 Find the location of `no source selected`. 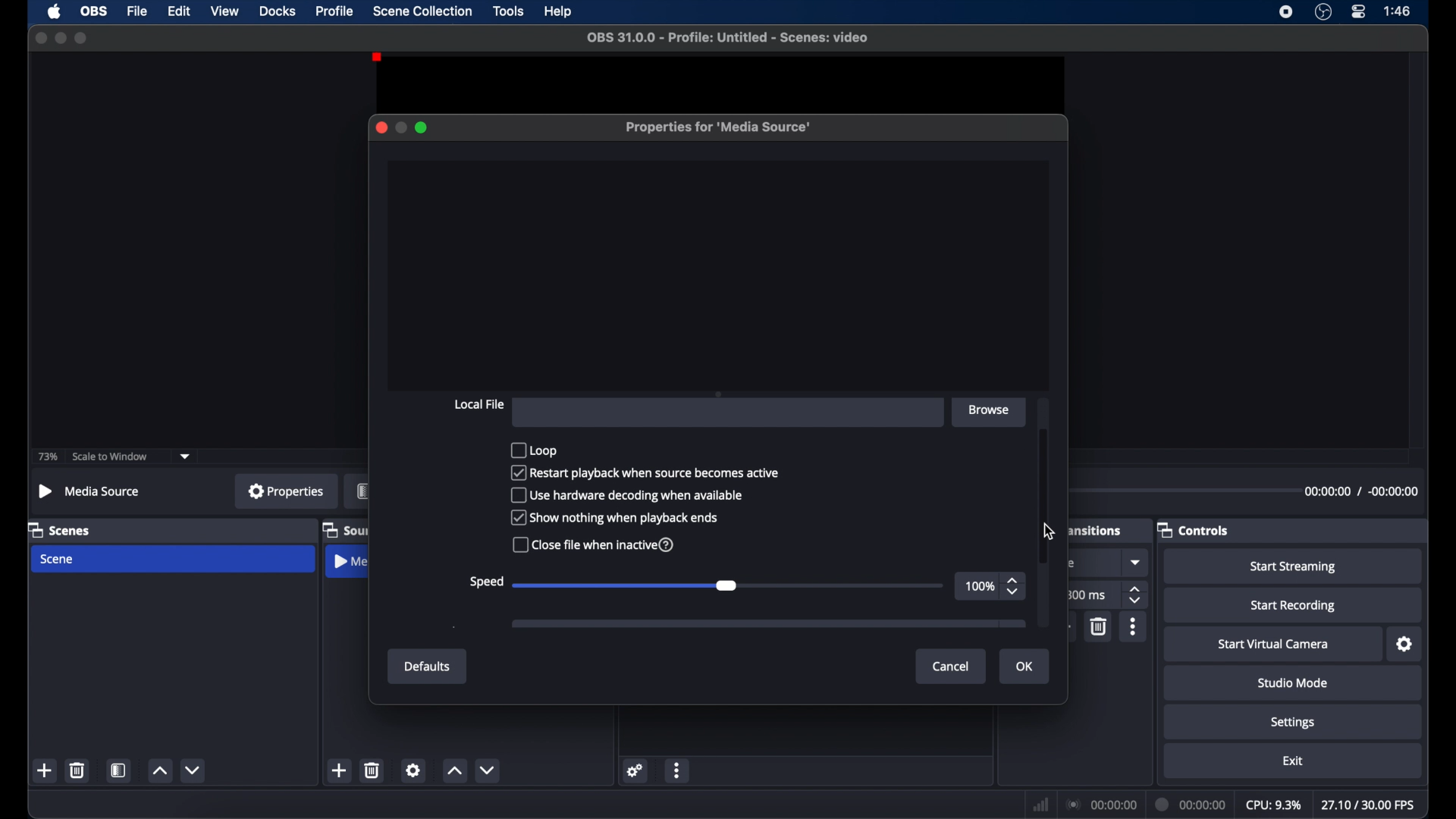

no source selected is located at coordinates (89, 491).